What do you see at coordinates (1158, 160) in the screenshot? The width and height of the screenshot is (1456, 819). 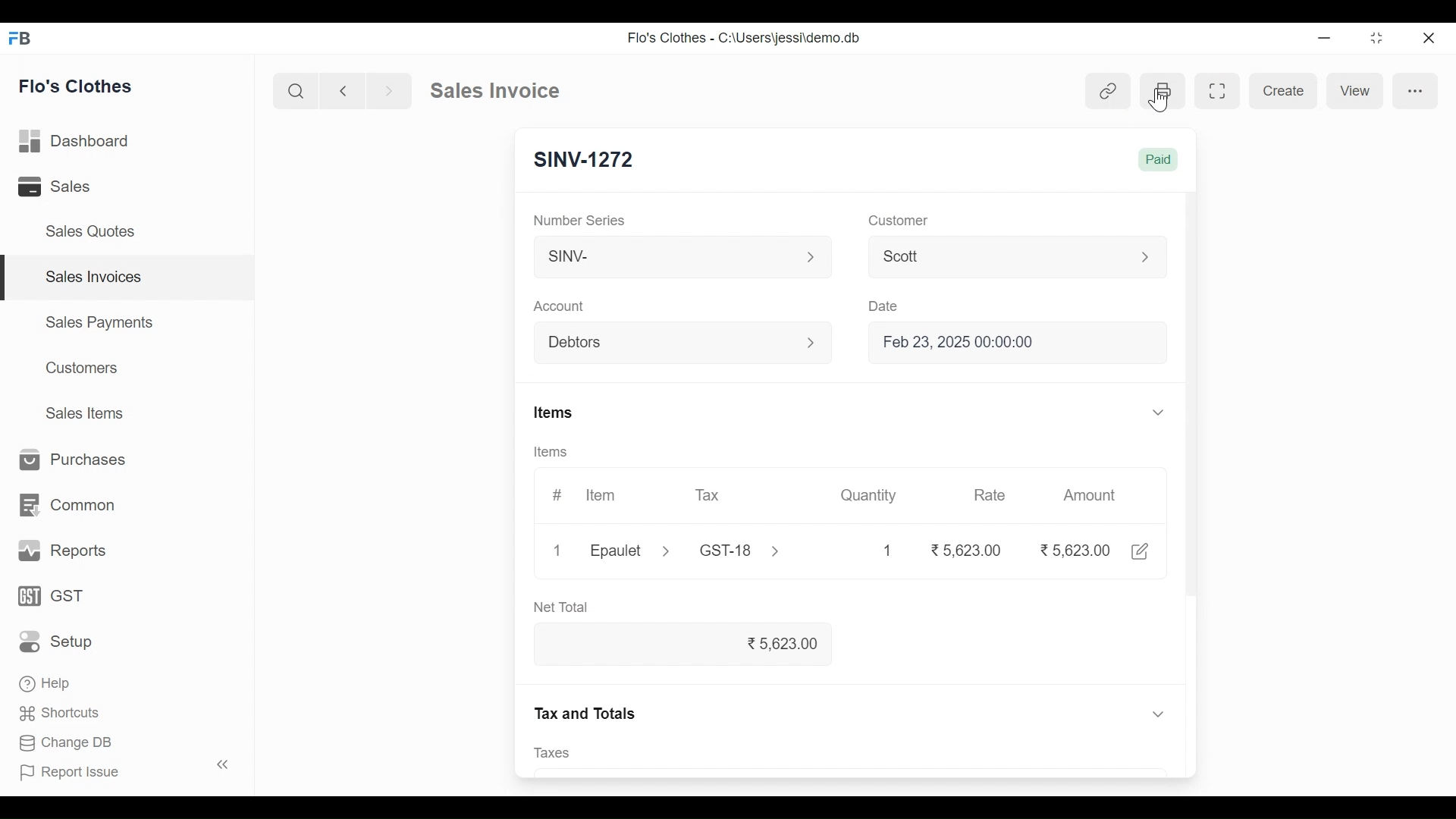 I see `Paid` at bounding box center [1158, 160].